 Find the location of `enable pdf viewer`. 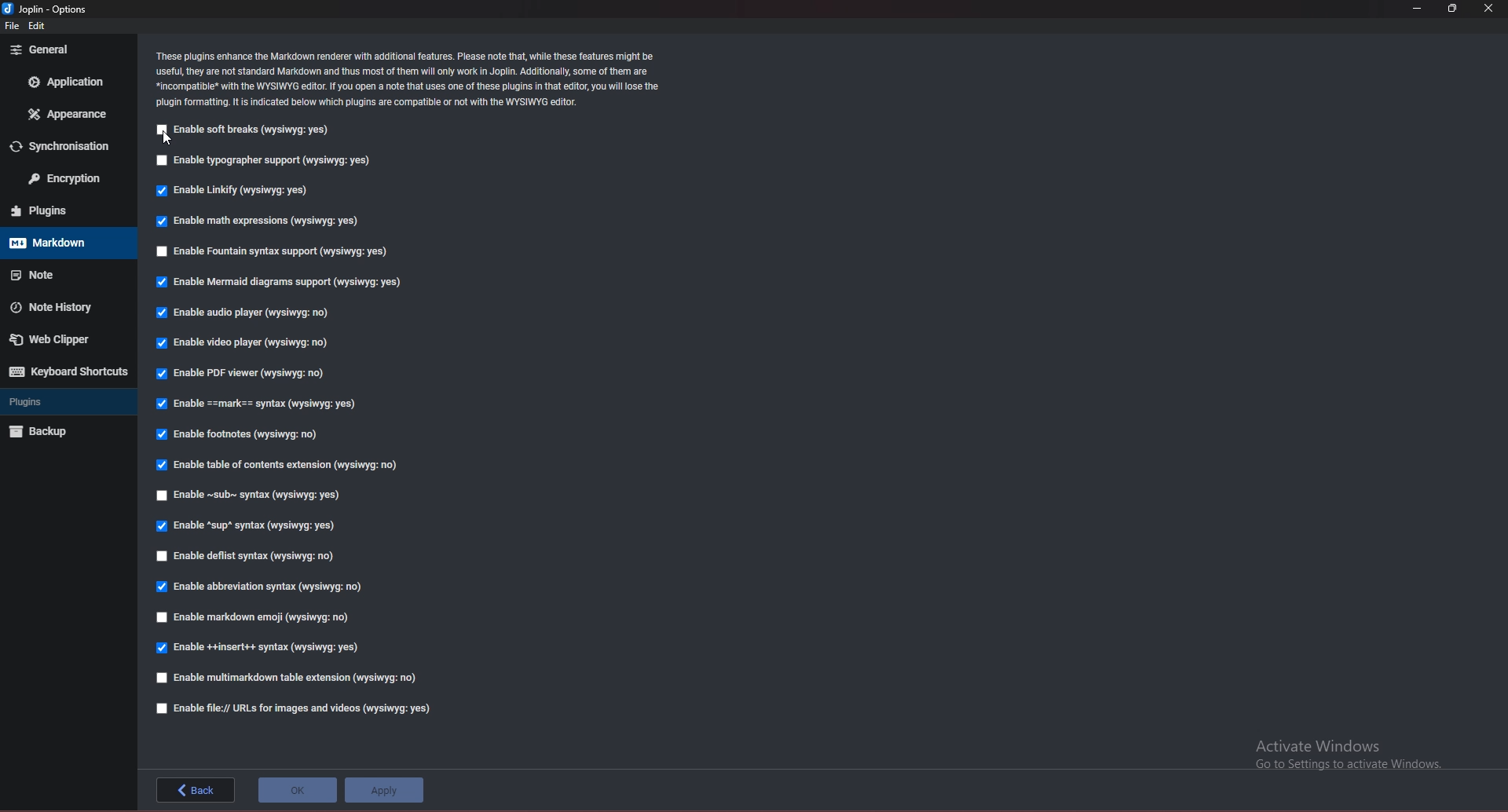

enable pdf viewer is located at coordinates (246, 372).